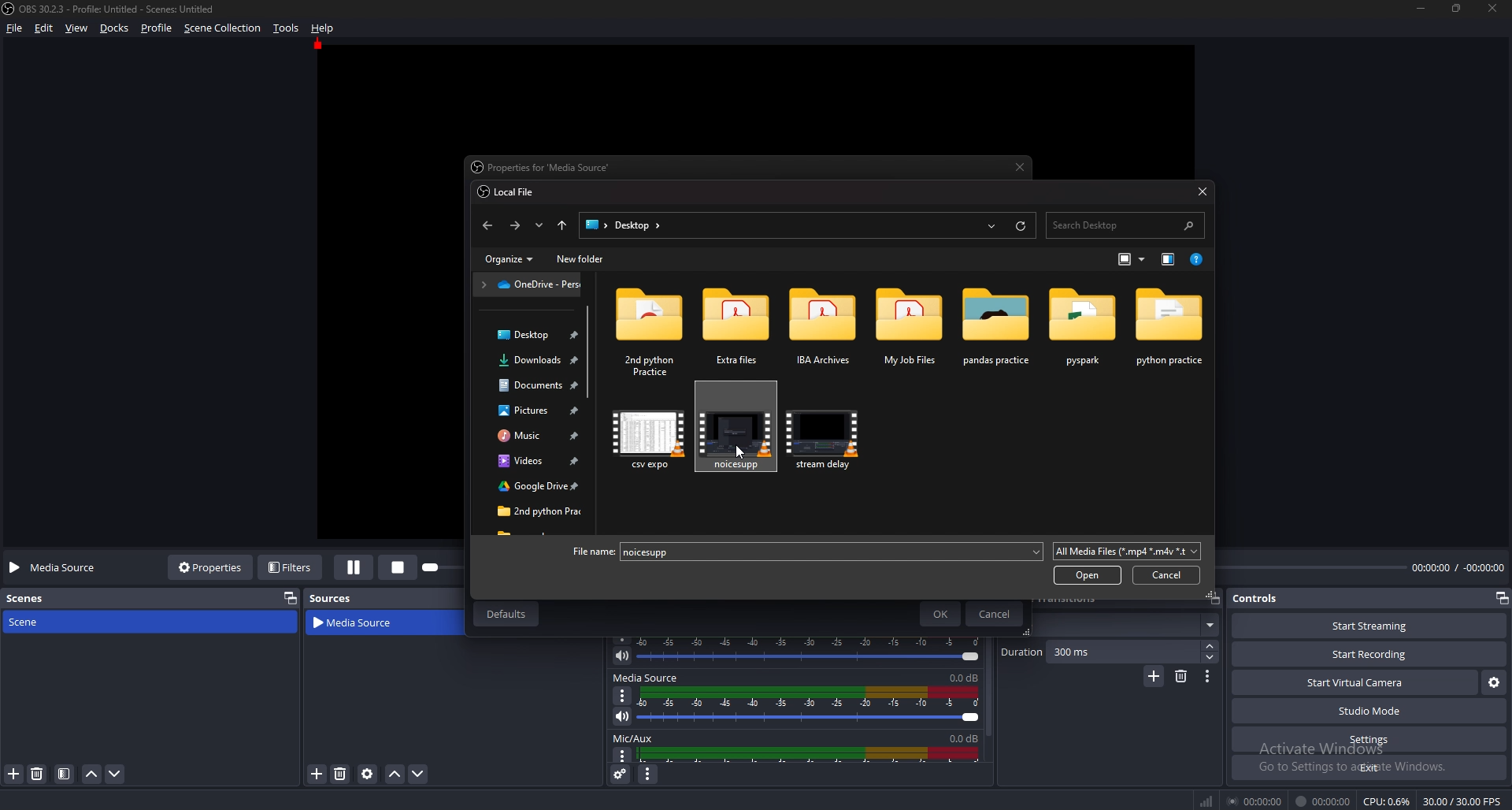  What do you see at coordinates (622, 774) in the screenshot?
I see `Advanced audio properties` at bounding box center [622, 774].